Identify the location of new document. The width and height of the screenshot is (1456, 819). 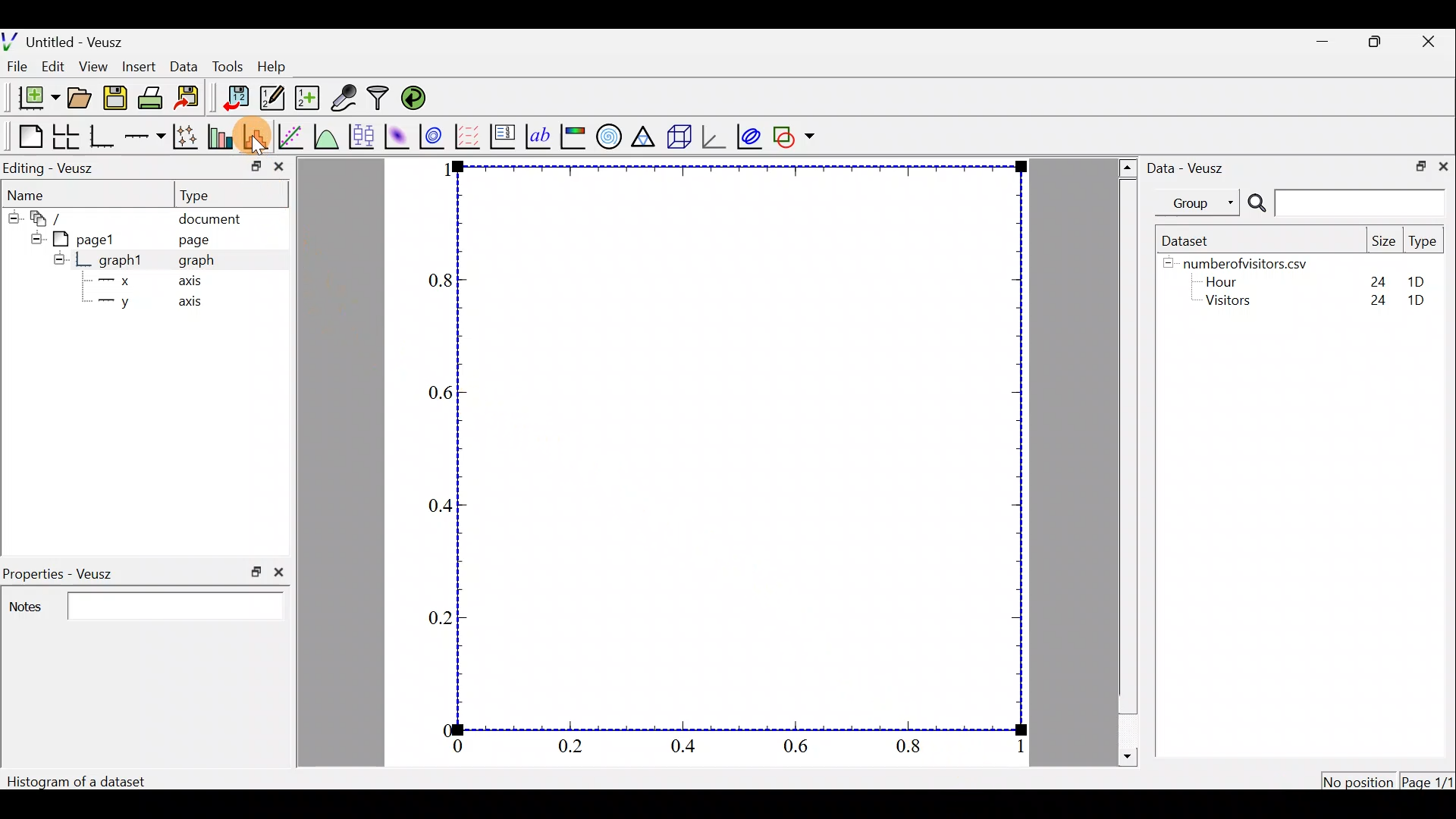
(35, 99).